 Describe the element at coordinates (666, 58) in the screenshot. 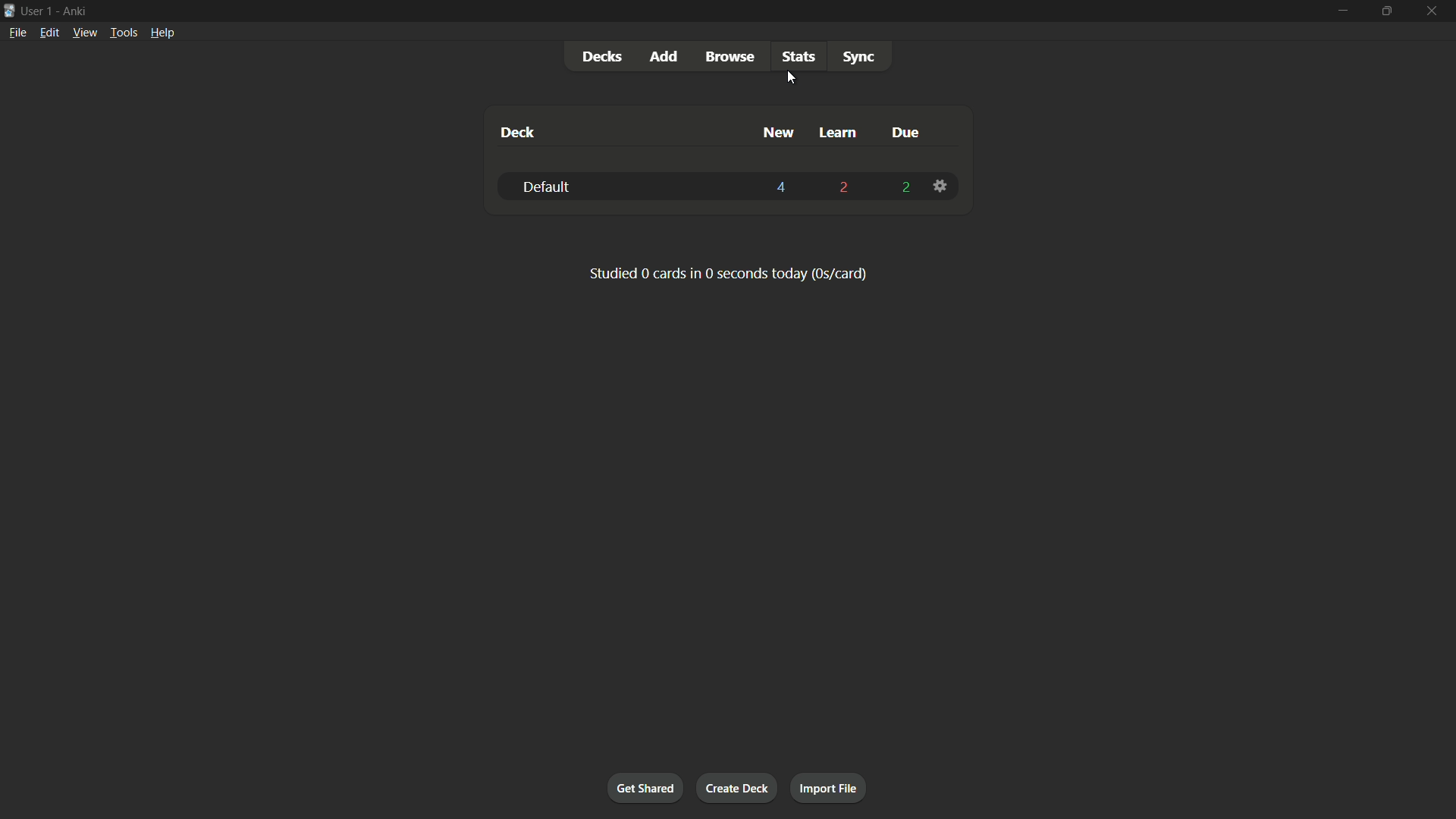

I see `add` at that location.